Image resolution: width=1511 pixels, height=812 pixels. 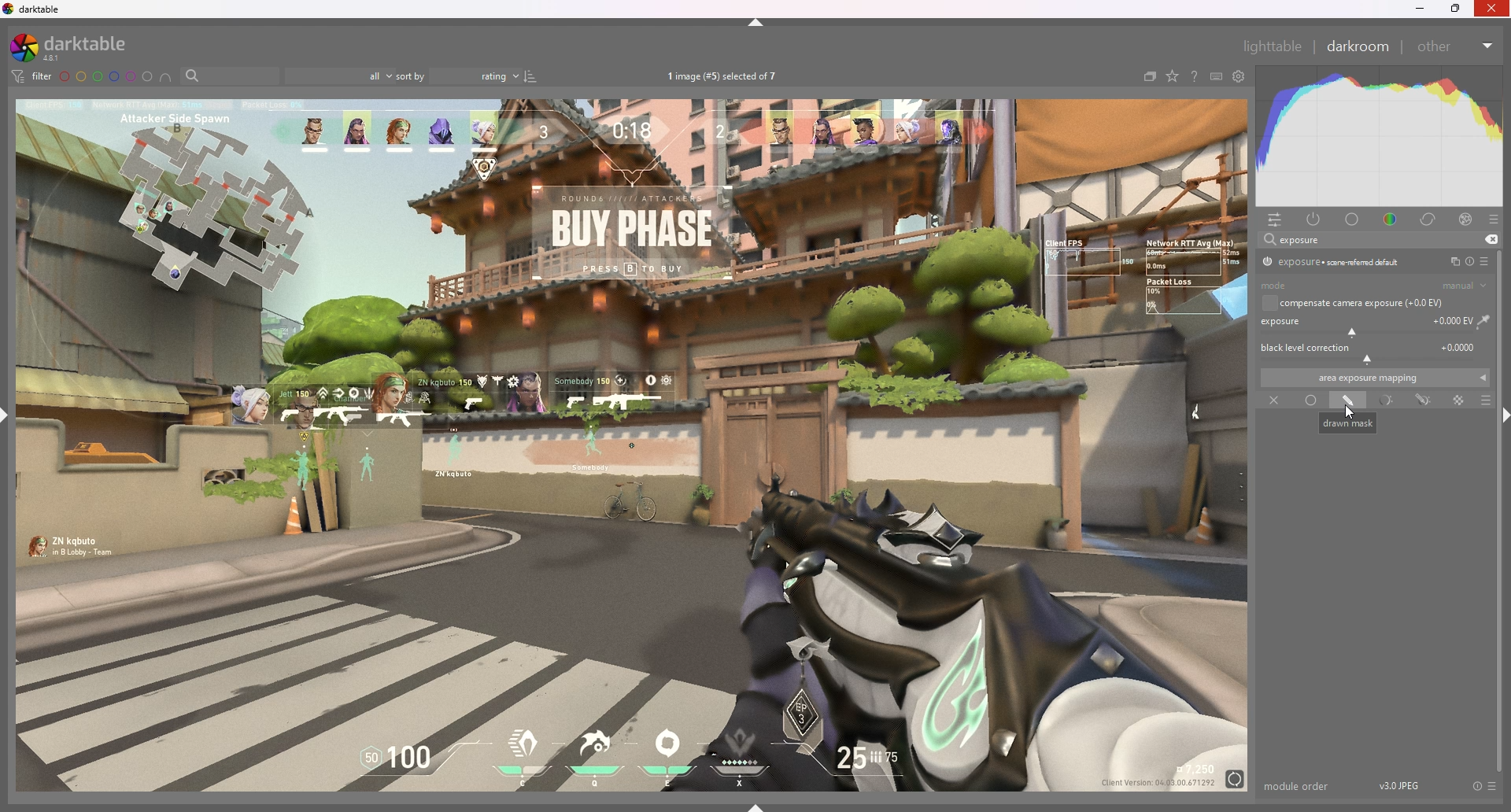 What do you see at coordinates (1311, 400) in the screenshot?
I see `uniformly` at bounding box center [1311, 400].